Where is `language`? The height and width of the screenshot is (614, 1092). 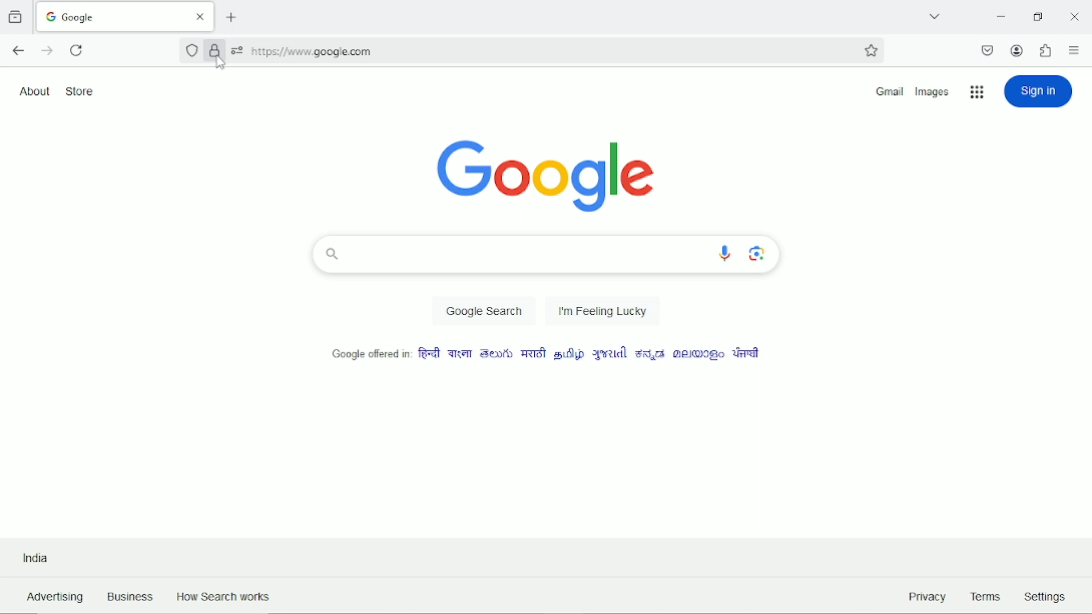 language is located at coordinates (696, 356).